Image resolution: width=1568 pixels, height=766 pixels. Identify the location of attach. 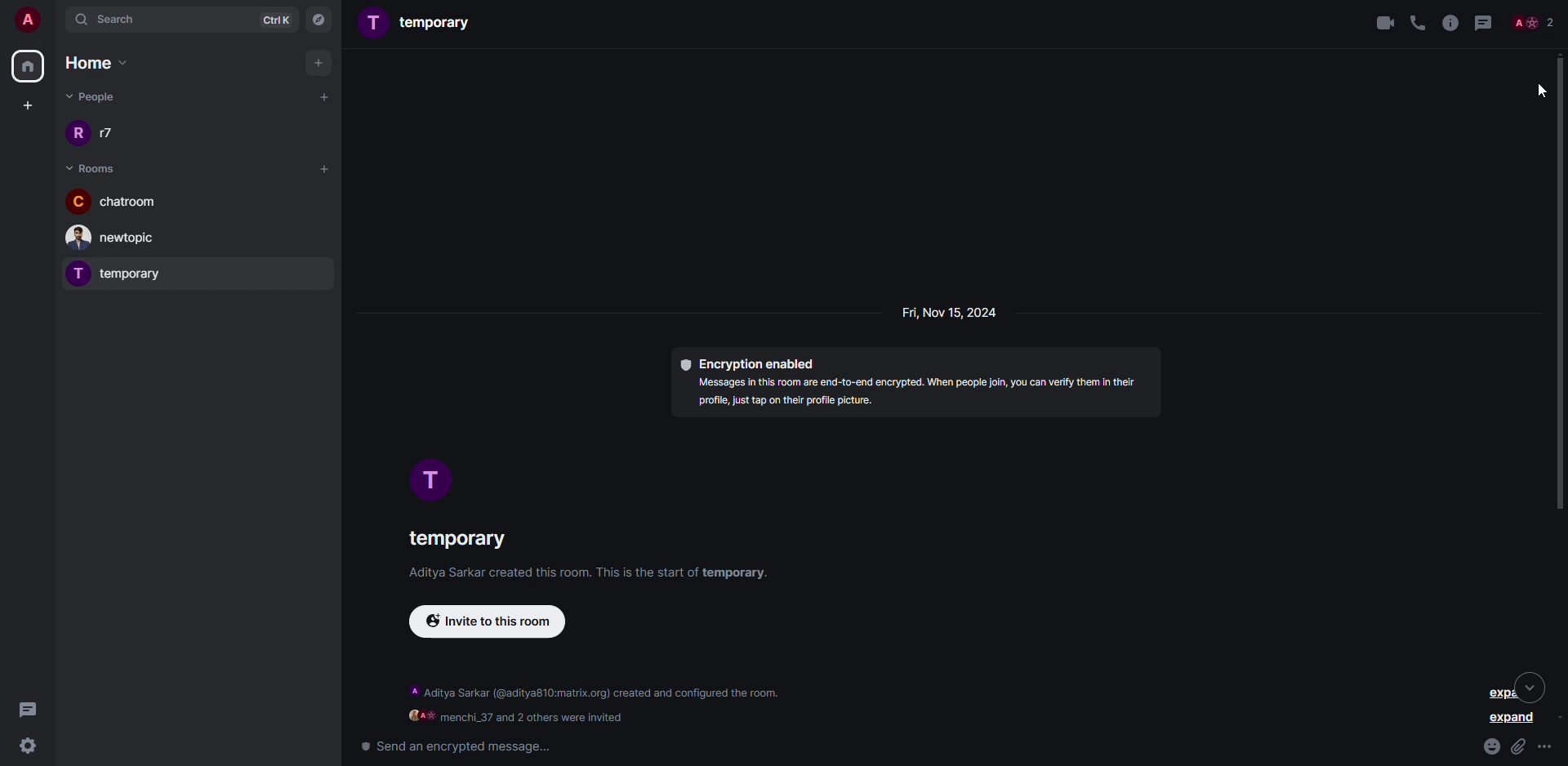
(1519, 746).